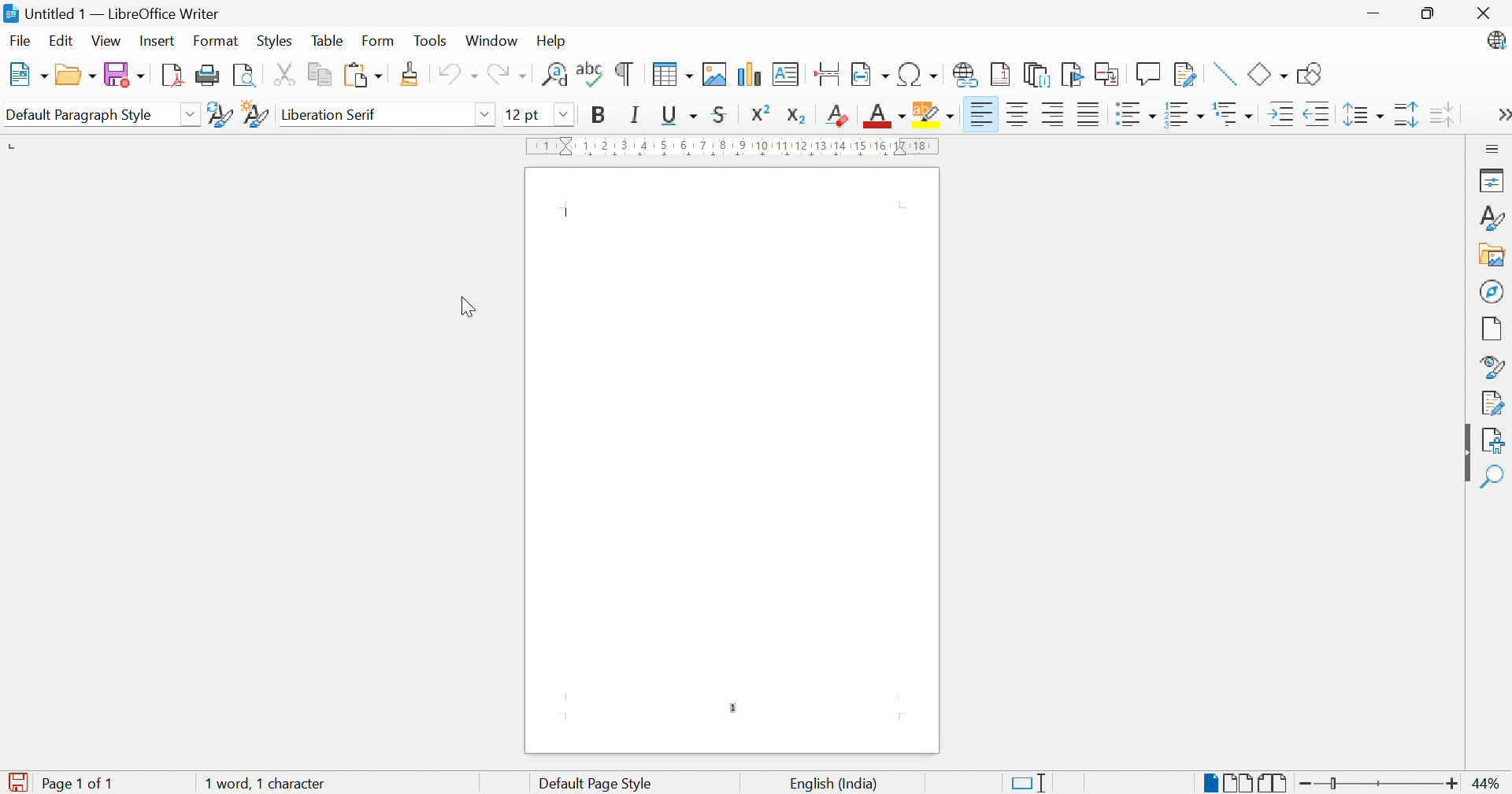 The image size is (1512, 794). What do you see at coordinates (458, 75) in the screenshot?
I see `Undo` at bounding box center [458, 75].